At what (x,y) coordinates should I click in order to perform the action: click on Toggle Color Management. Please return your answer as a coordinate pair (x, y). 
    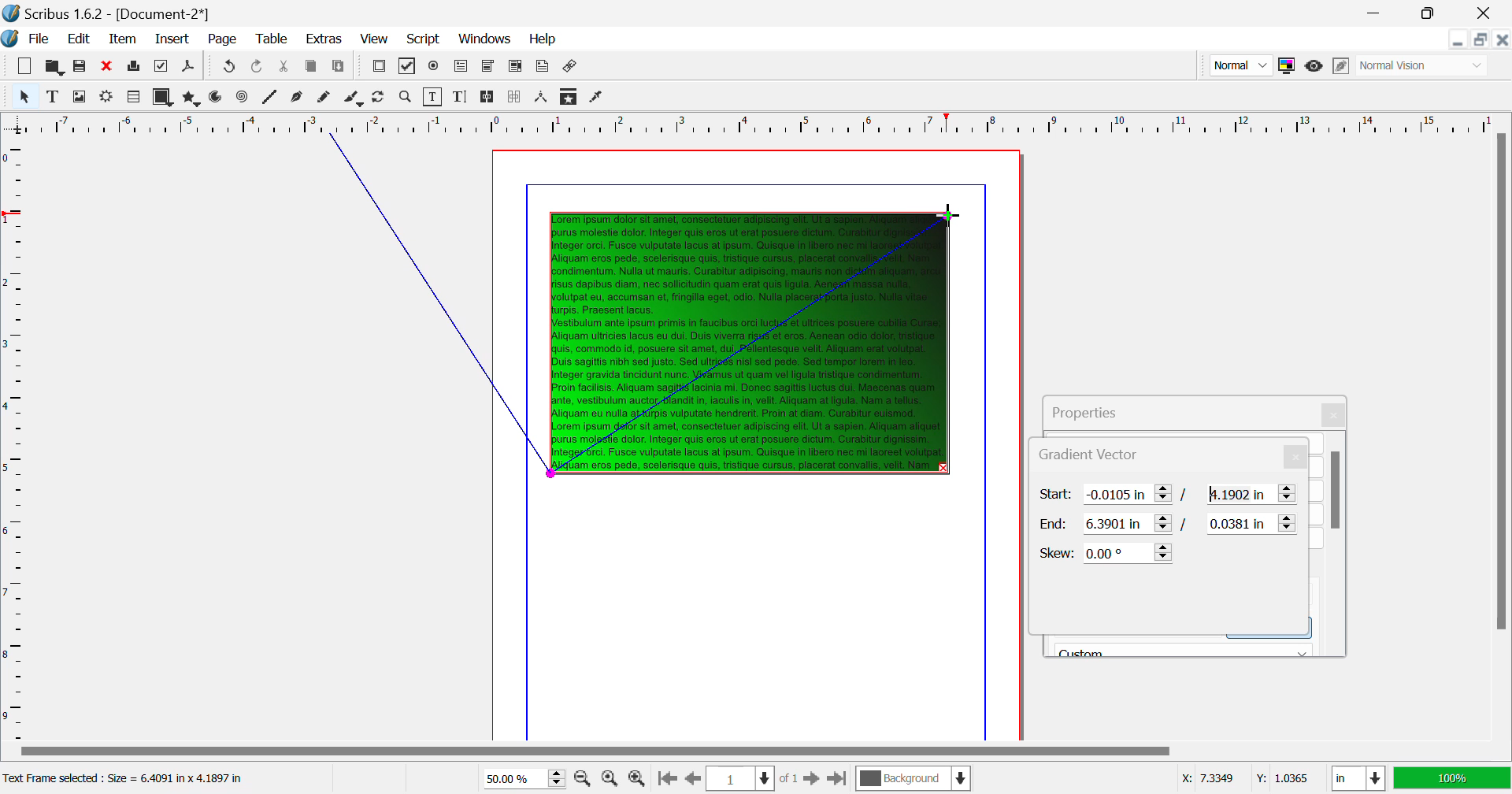
    Looking at the image, I should click on (1286, 65).